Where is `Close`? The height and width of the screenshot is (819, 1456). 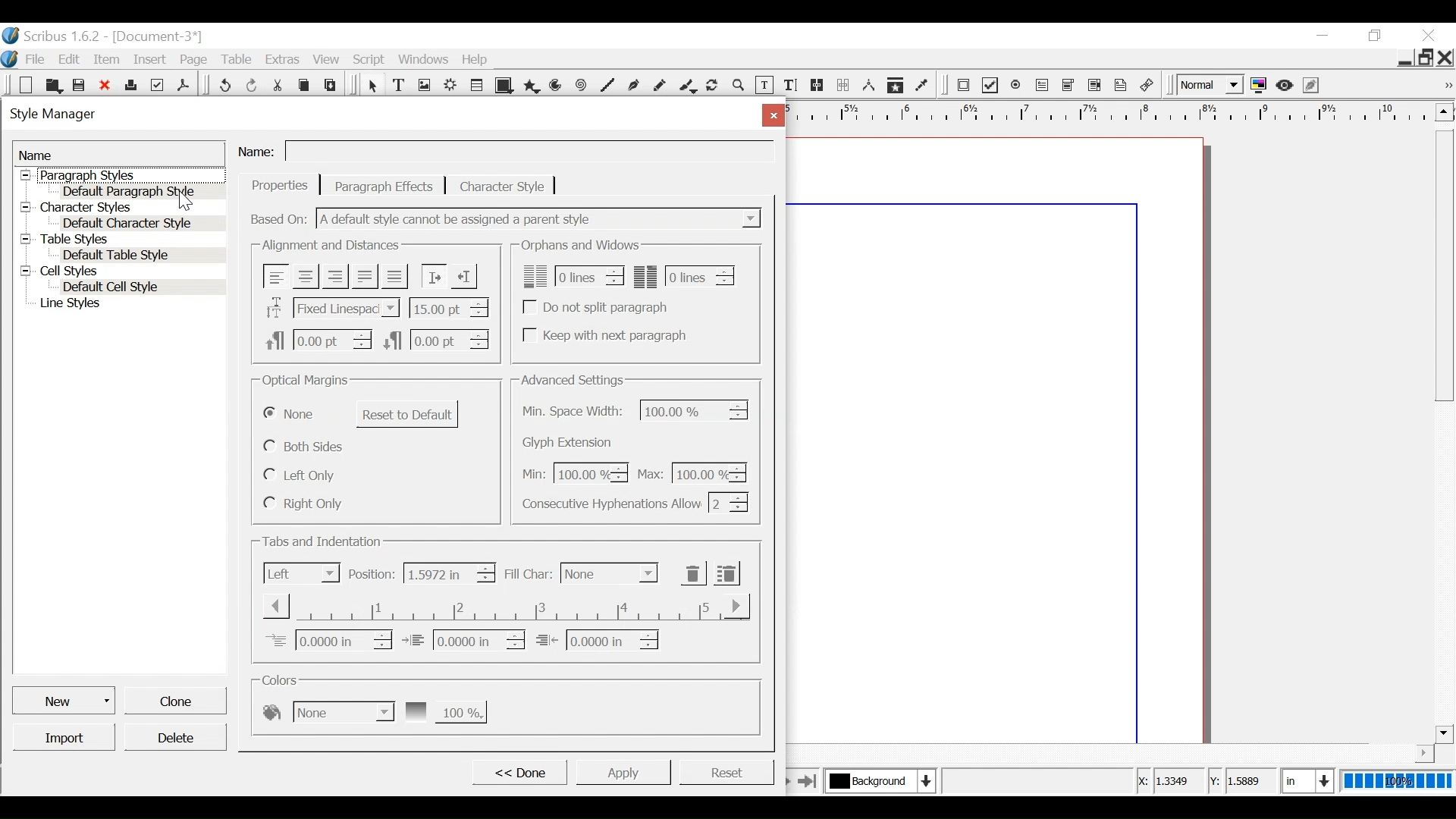 Close is located at coordinates (770, 115).